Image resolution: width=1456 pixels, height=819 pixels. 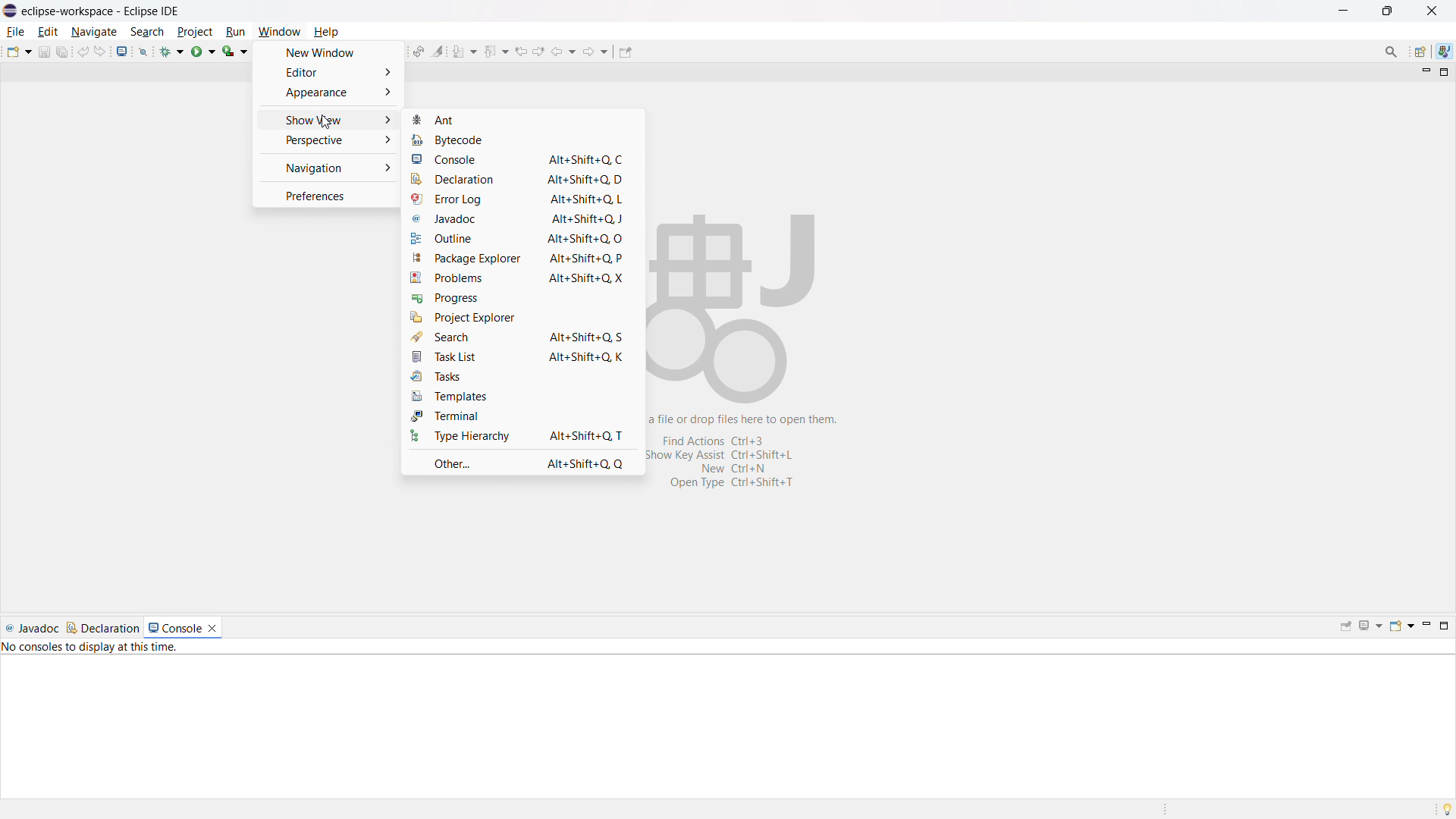 What do you see at coordinates (523, 416) in the screenshot?
I see `terminal` at bounding box center [523, 416].